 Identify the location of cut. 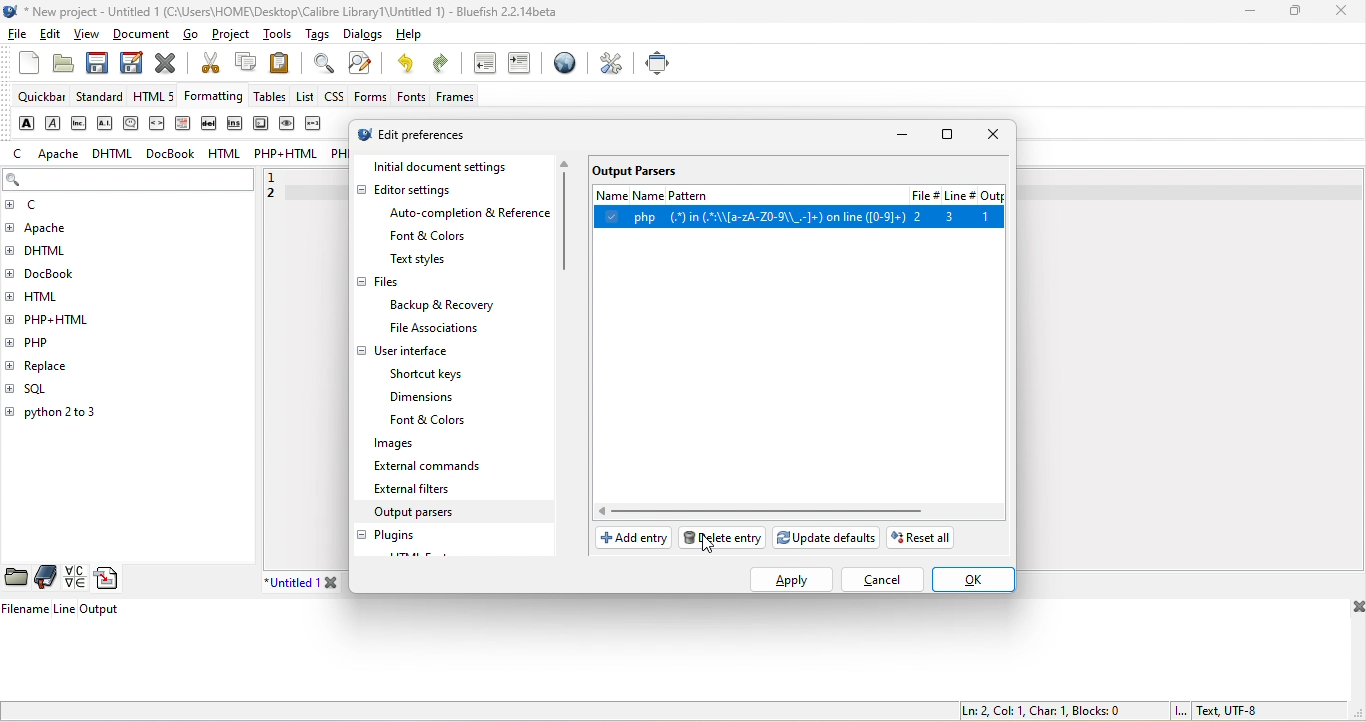
(208, 65).